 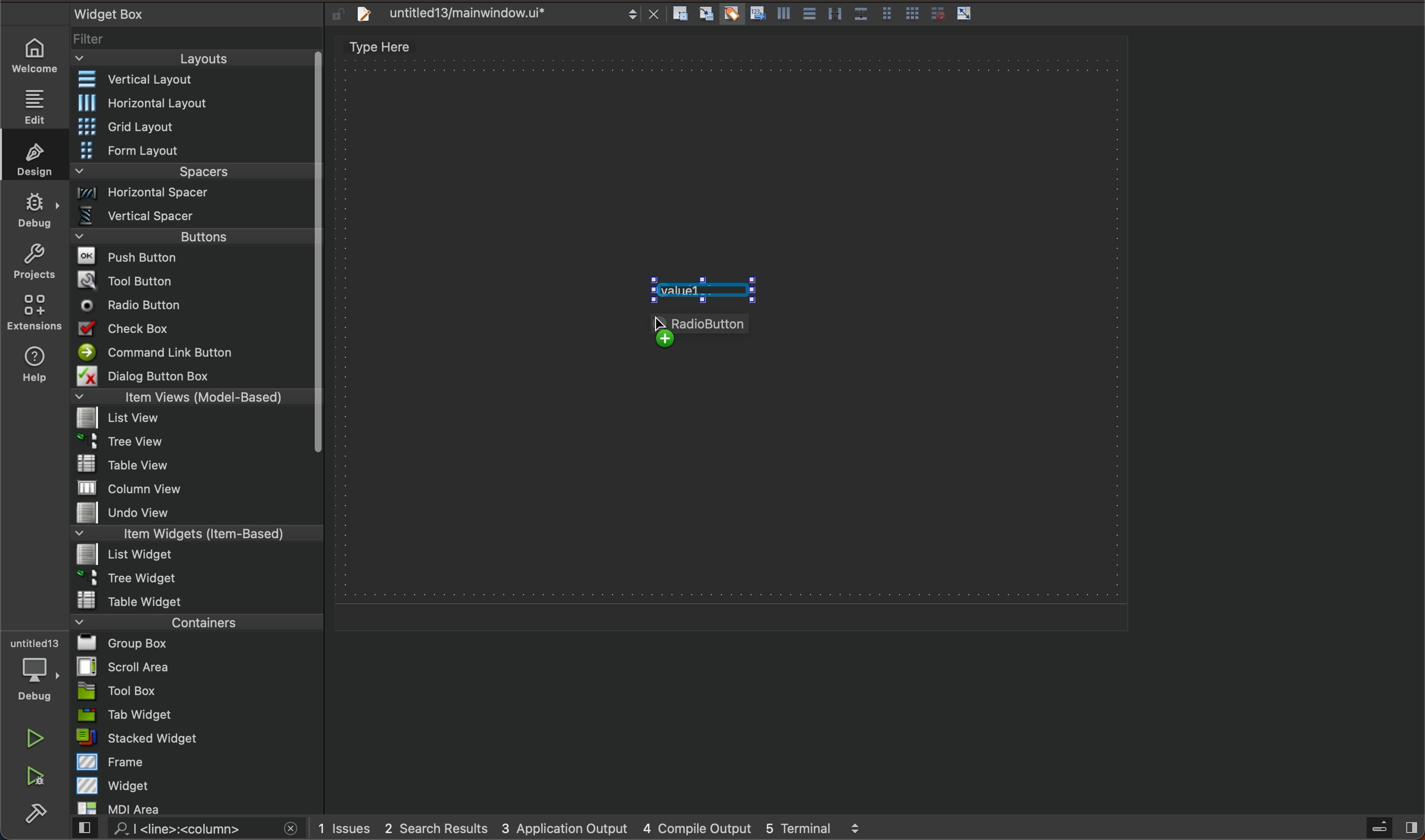 I want to click on scroll area, so click(x=197, y=666).